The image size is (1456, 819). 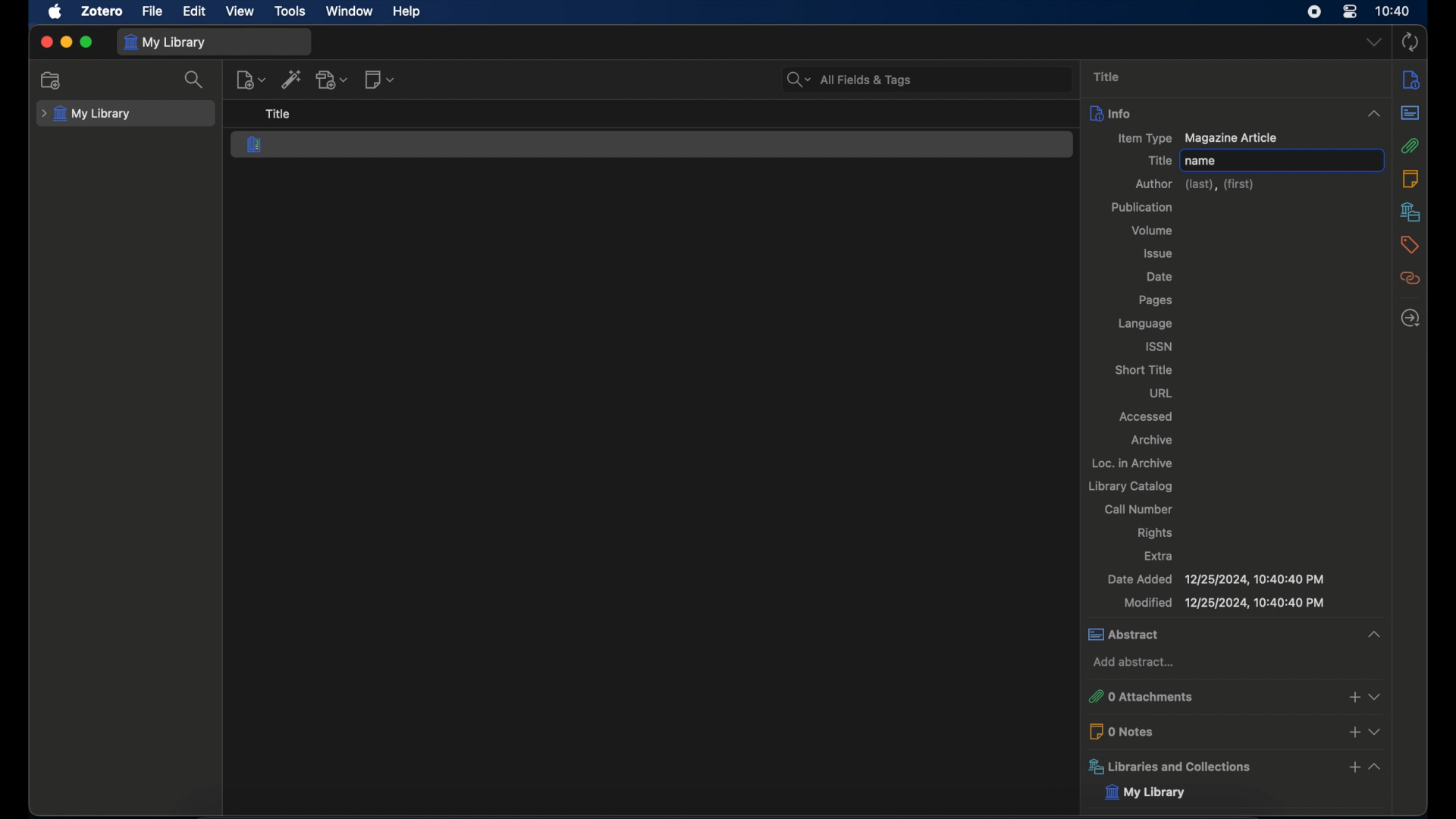 I want to click on tags, so click(x=1410, y=246).